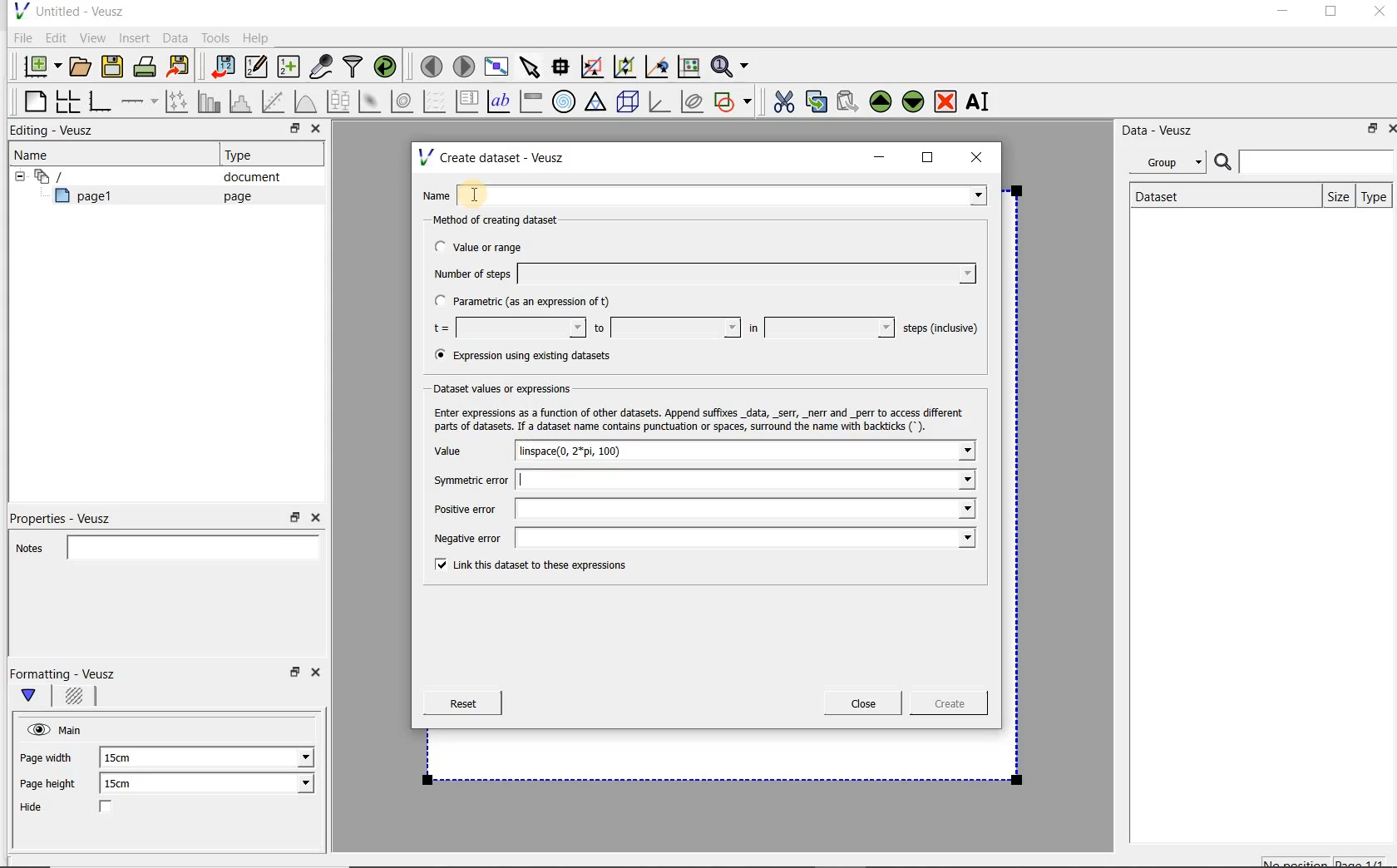 Image resolution: width=1397 pixels, height=868 pixels. What do you see at coordinates (693, 101) in the screenshot?
I see `plot covariance ellipses` at bounding box center [693, 101].